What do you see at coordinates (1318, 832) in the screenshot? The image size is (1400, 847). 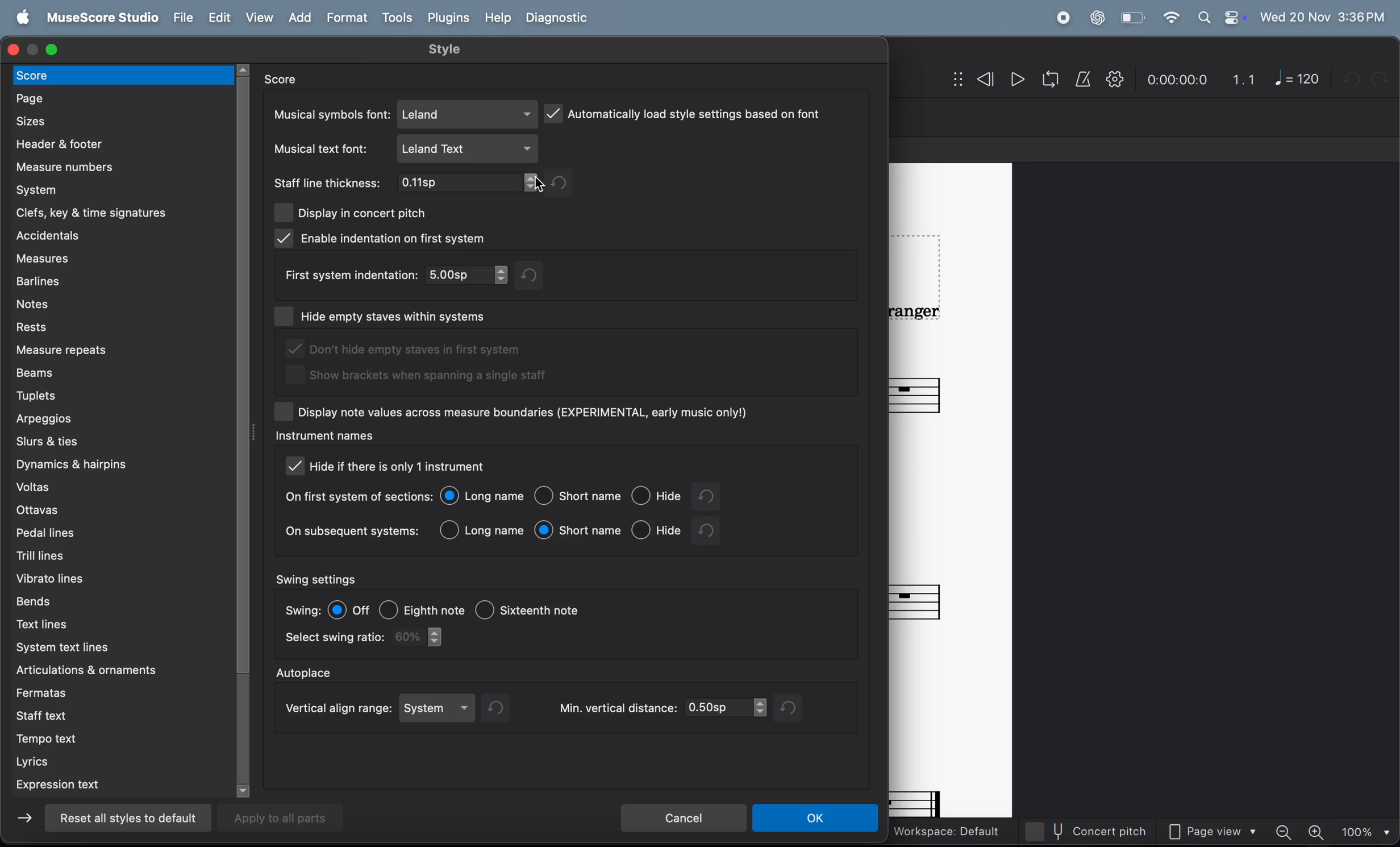 I see `zoom in` at bounding box center [1318, 832].